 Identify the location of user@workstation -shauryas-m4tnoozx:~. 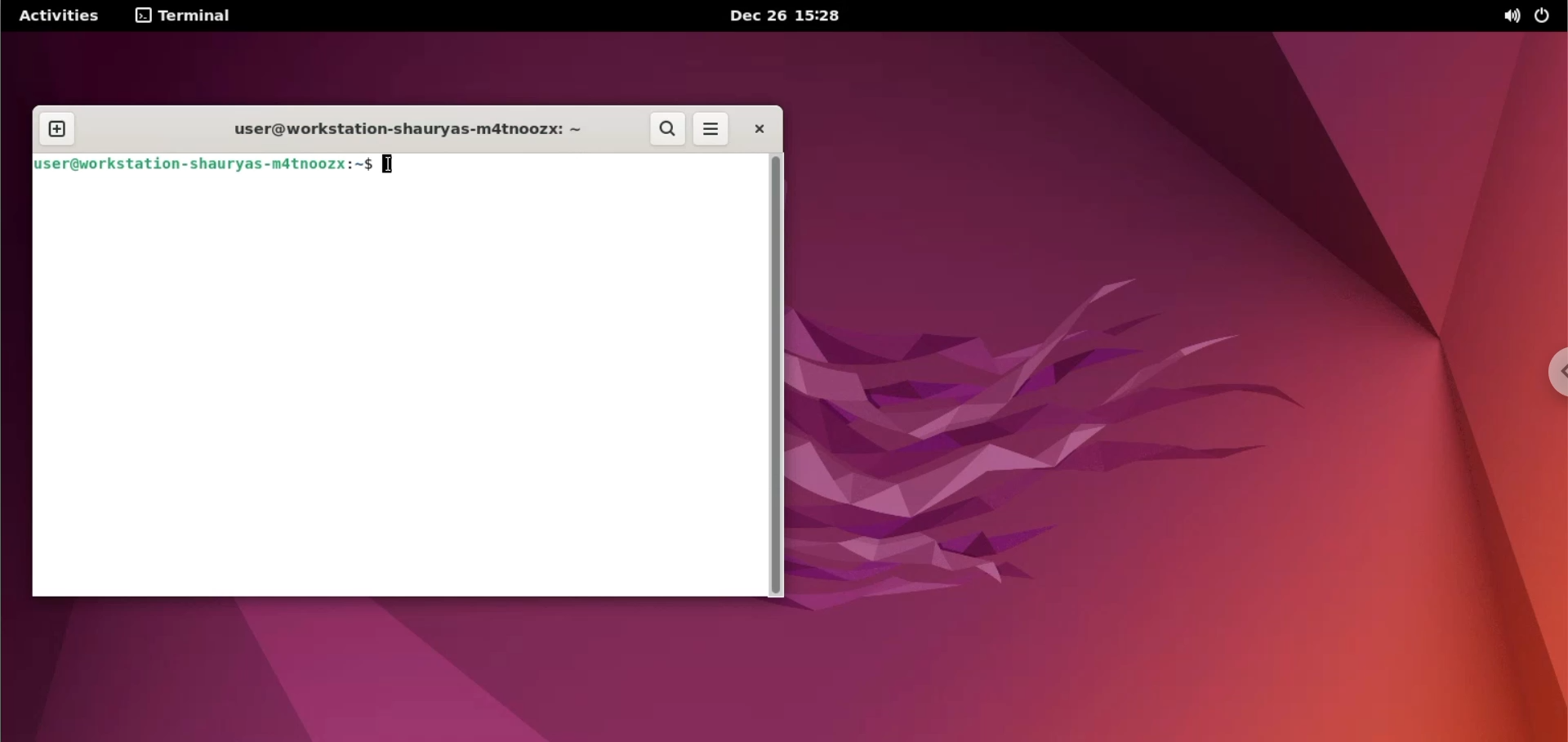
(398, 132).